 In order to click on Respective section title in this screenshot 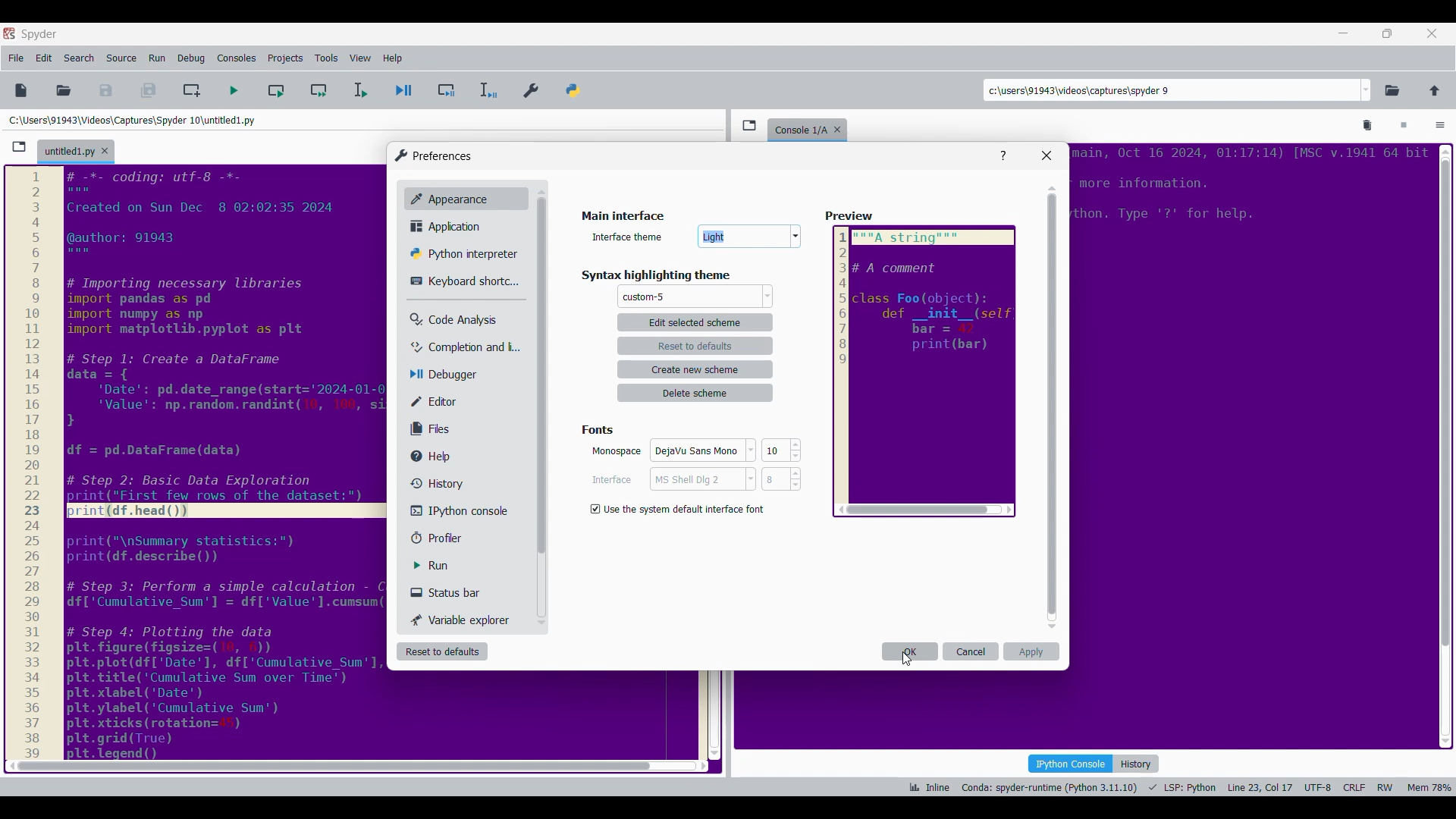, I will do `click(667, 276)`.